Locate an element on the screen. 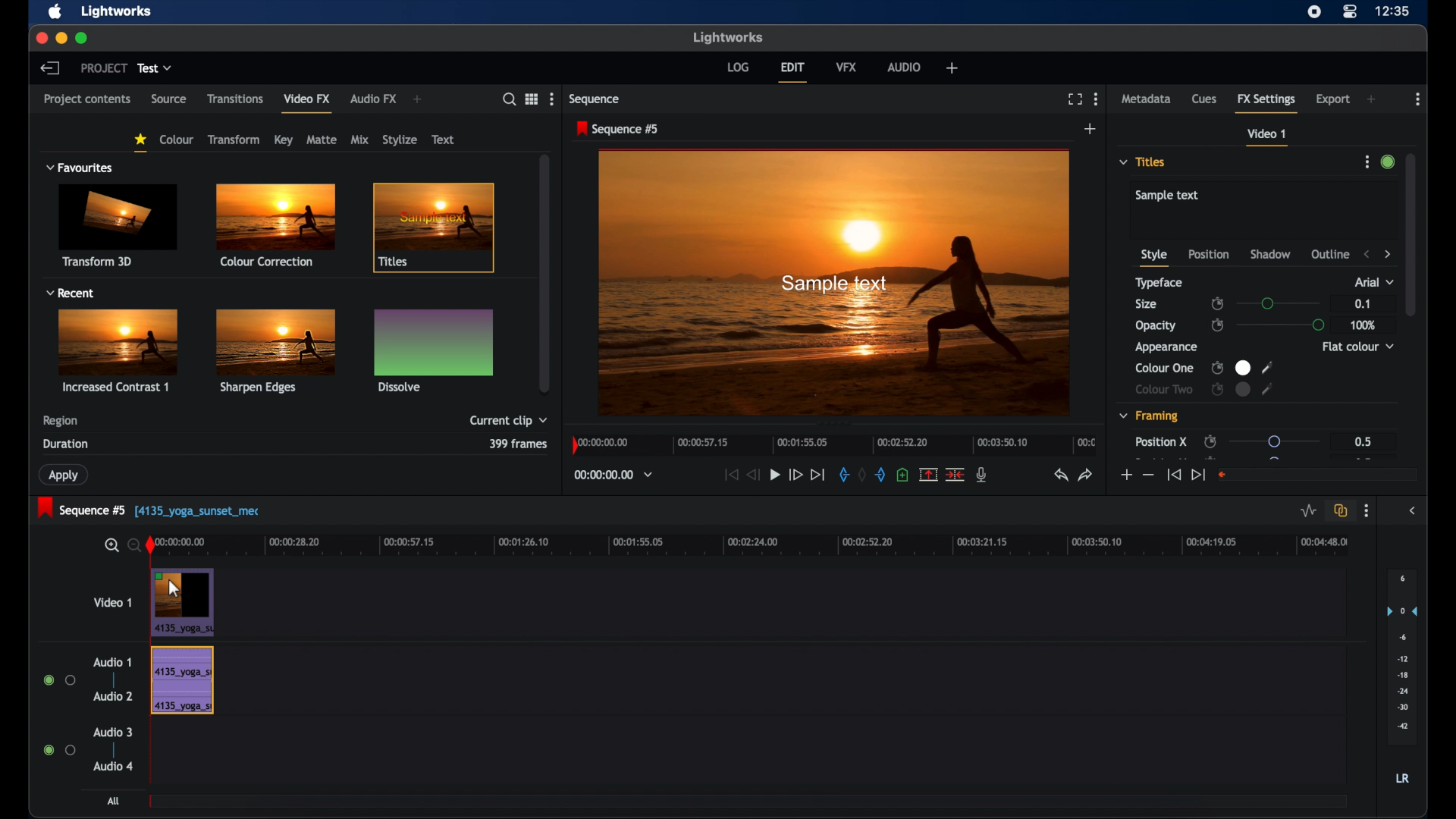 The height and width of the screenshot is (819, 1456). color picker tool is located at coordinates (1269, 390).